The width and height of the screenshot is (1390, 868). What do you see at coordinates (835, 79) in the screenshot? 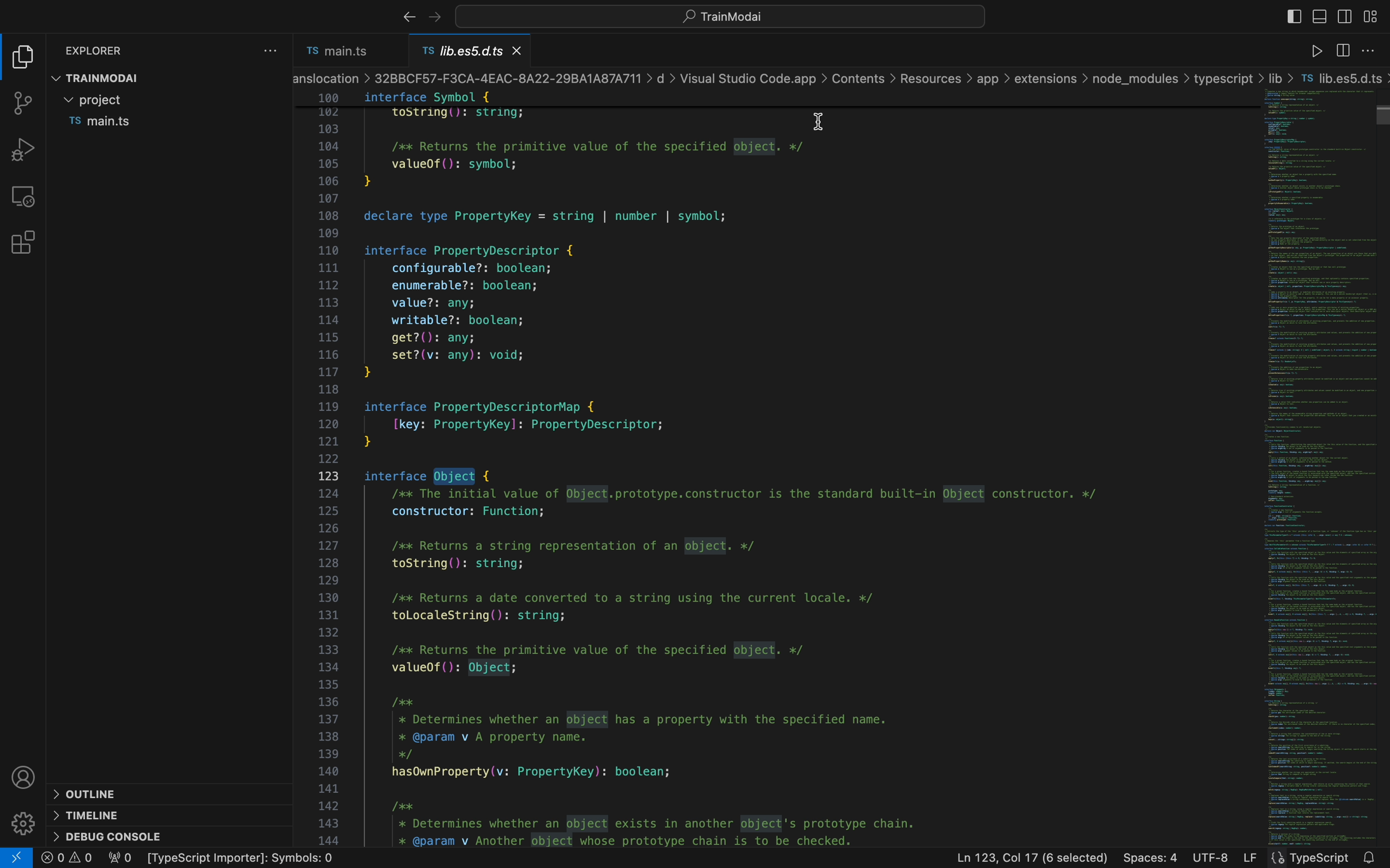
I see `breadcrumb` at bounding box center [835, 79].